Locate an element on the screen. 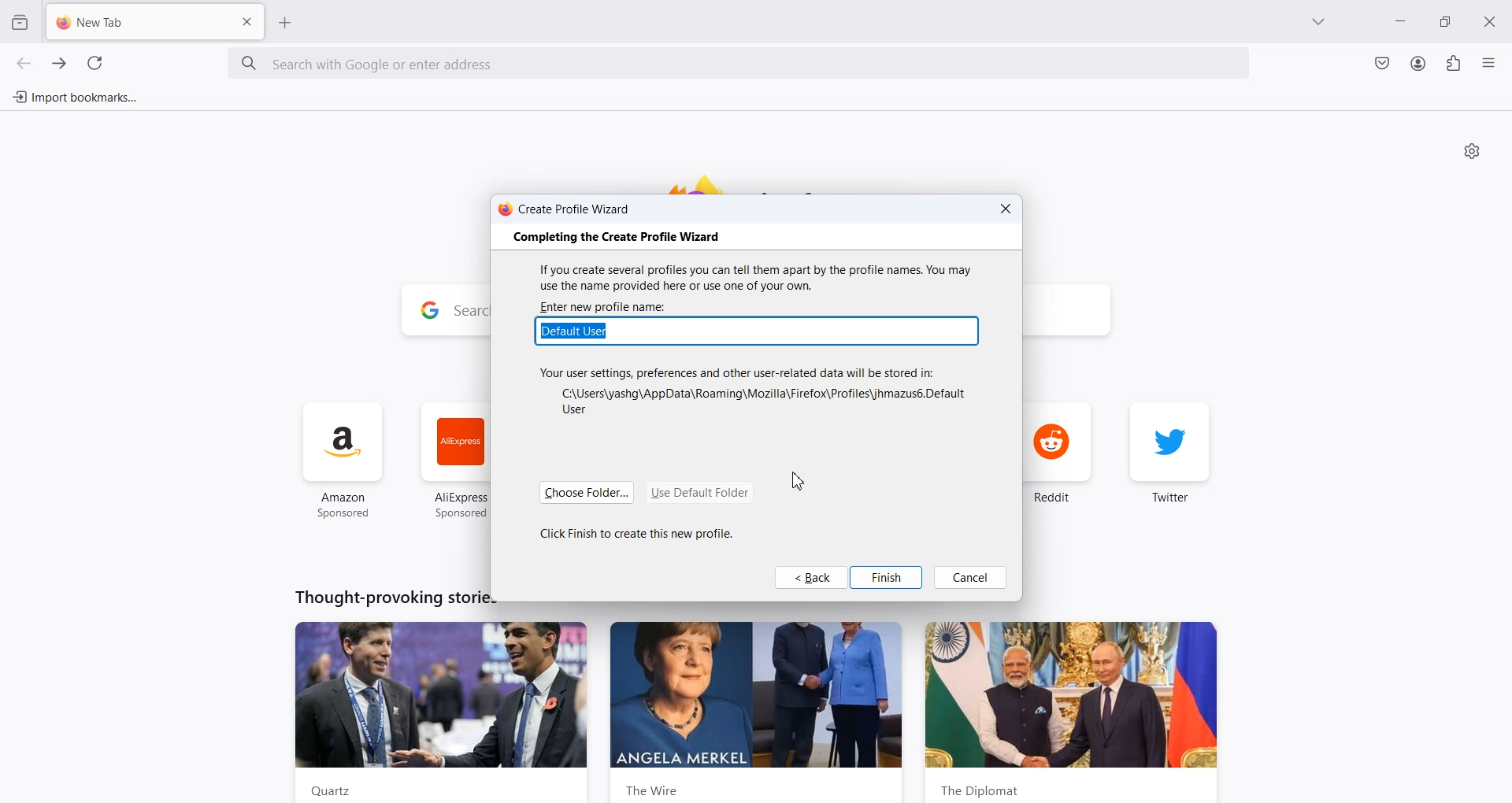 This screenshot has height=803, width=1512. Back is located at coordinates (810, 576).